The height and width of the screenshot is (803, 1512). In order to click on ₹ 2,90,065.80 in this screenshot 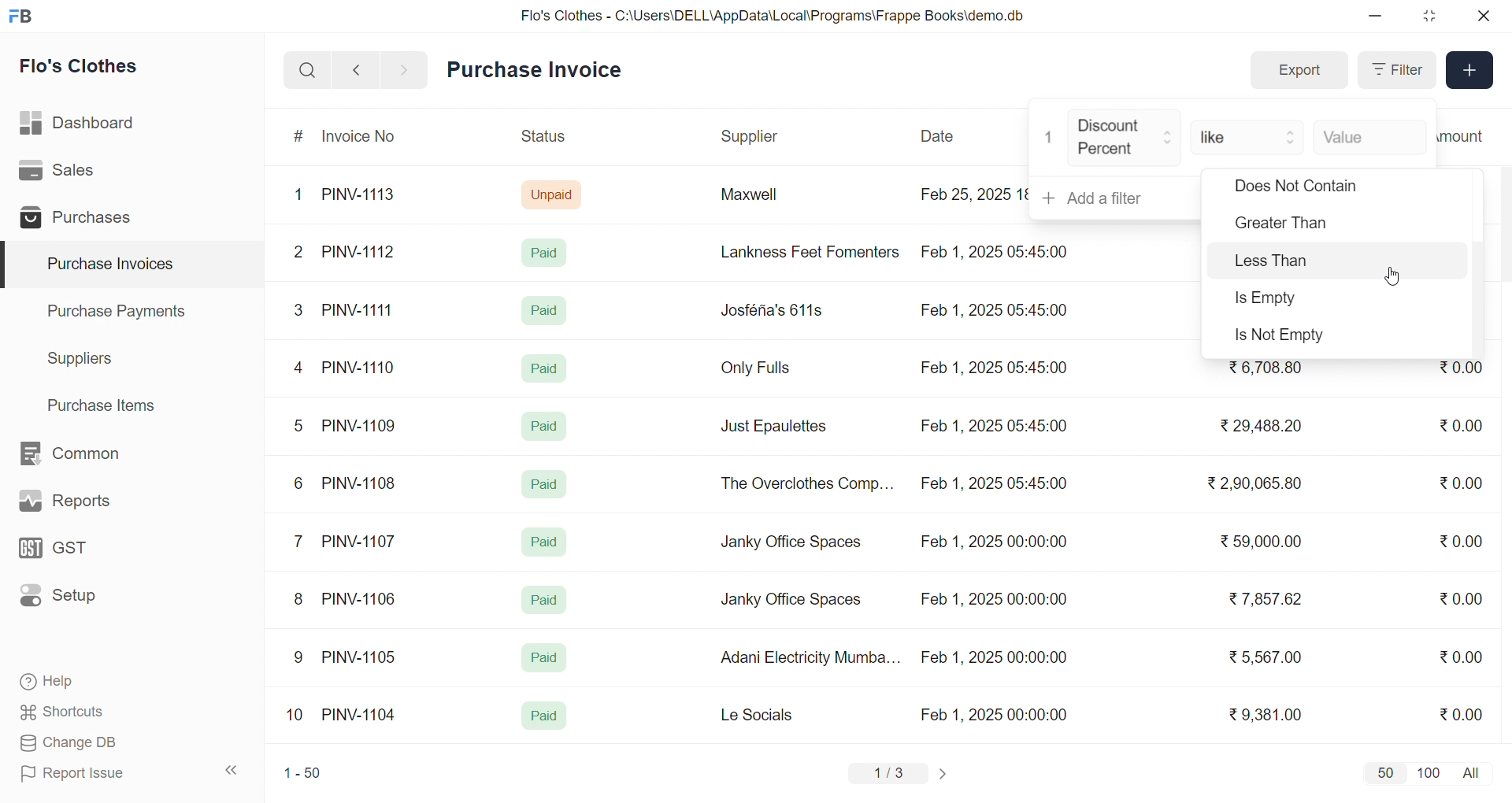, I will do `click(1256, 484)`.